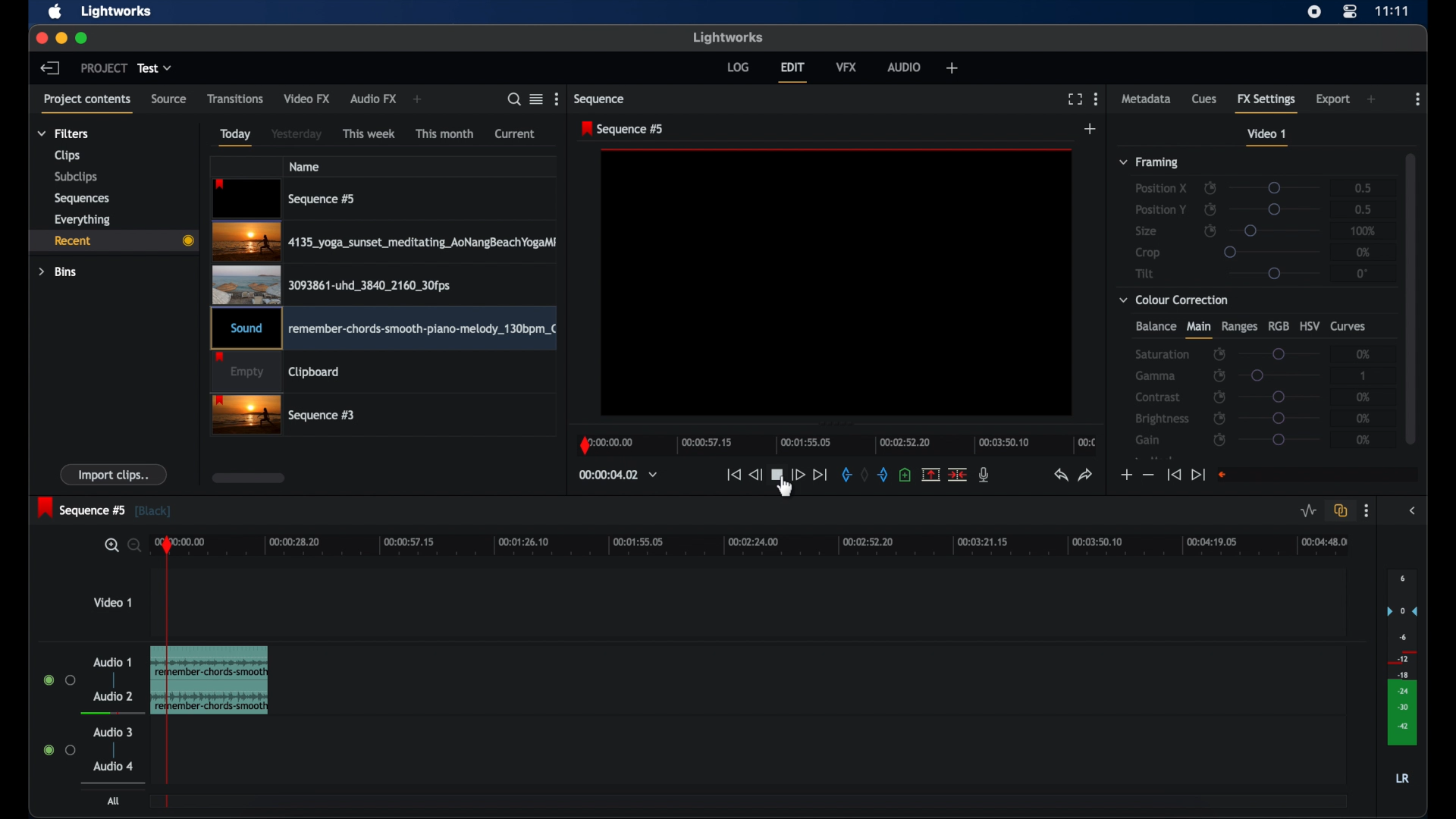 This screenshot has width=1456, height=819. Describe the element at coordinates (1075, 99) in the screenshot. I see `full screen` at that location.